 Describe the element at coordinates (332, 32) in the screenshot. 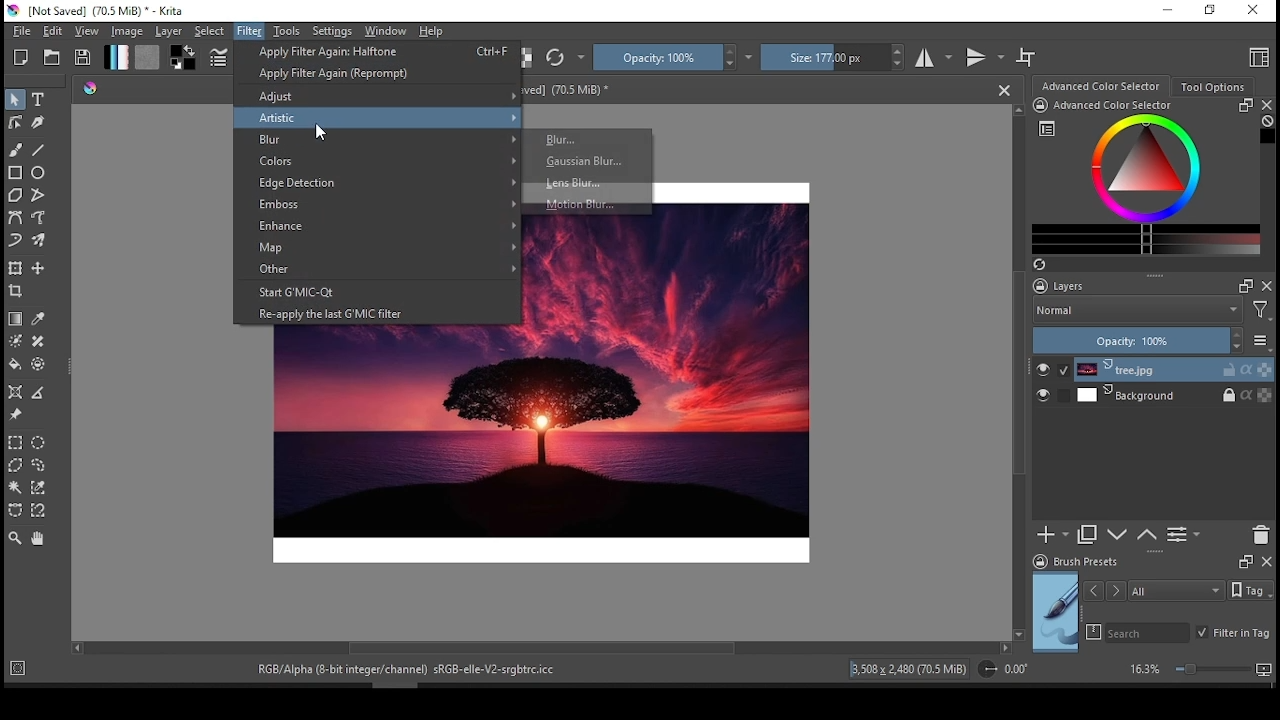

I see `settings` at that location.